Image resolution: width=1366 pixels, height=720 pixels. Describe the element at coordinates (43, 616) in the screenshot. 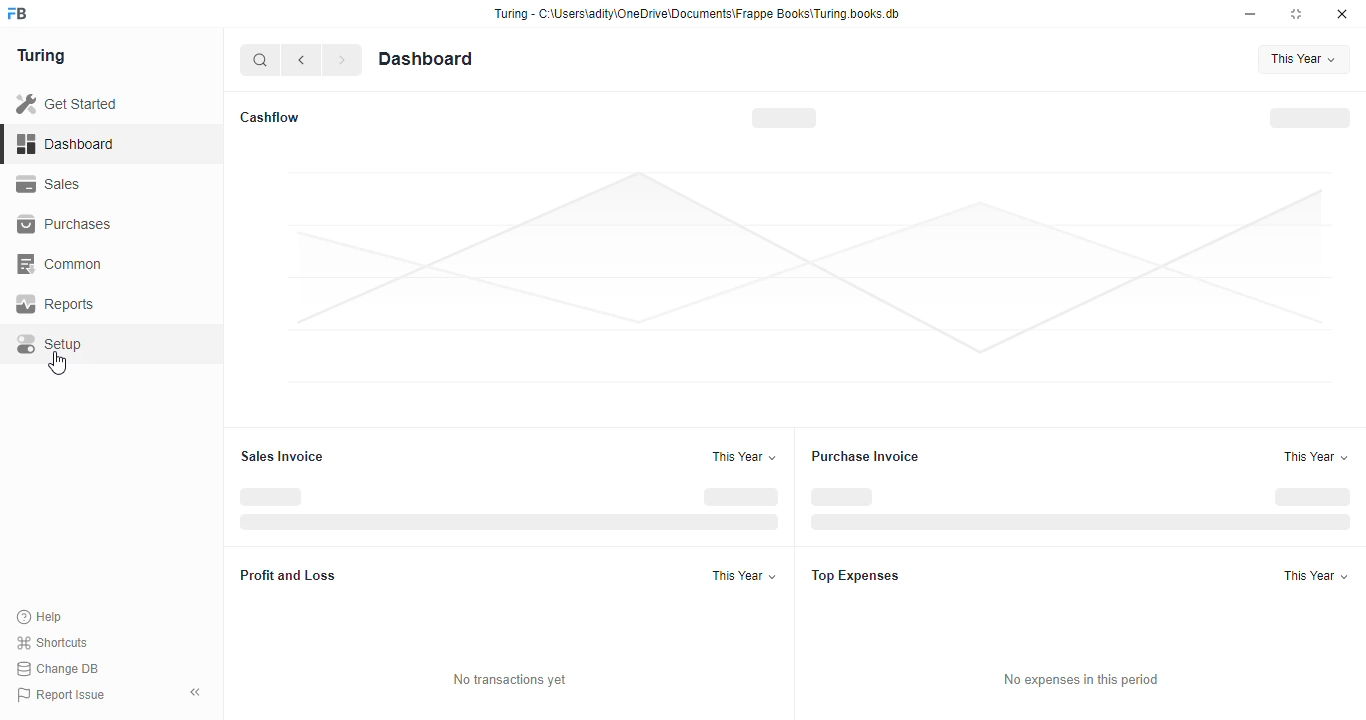

I see `Help` at that location.